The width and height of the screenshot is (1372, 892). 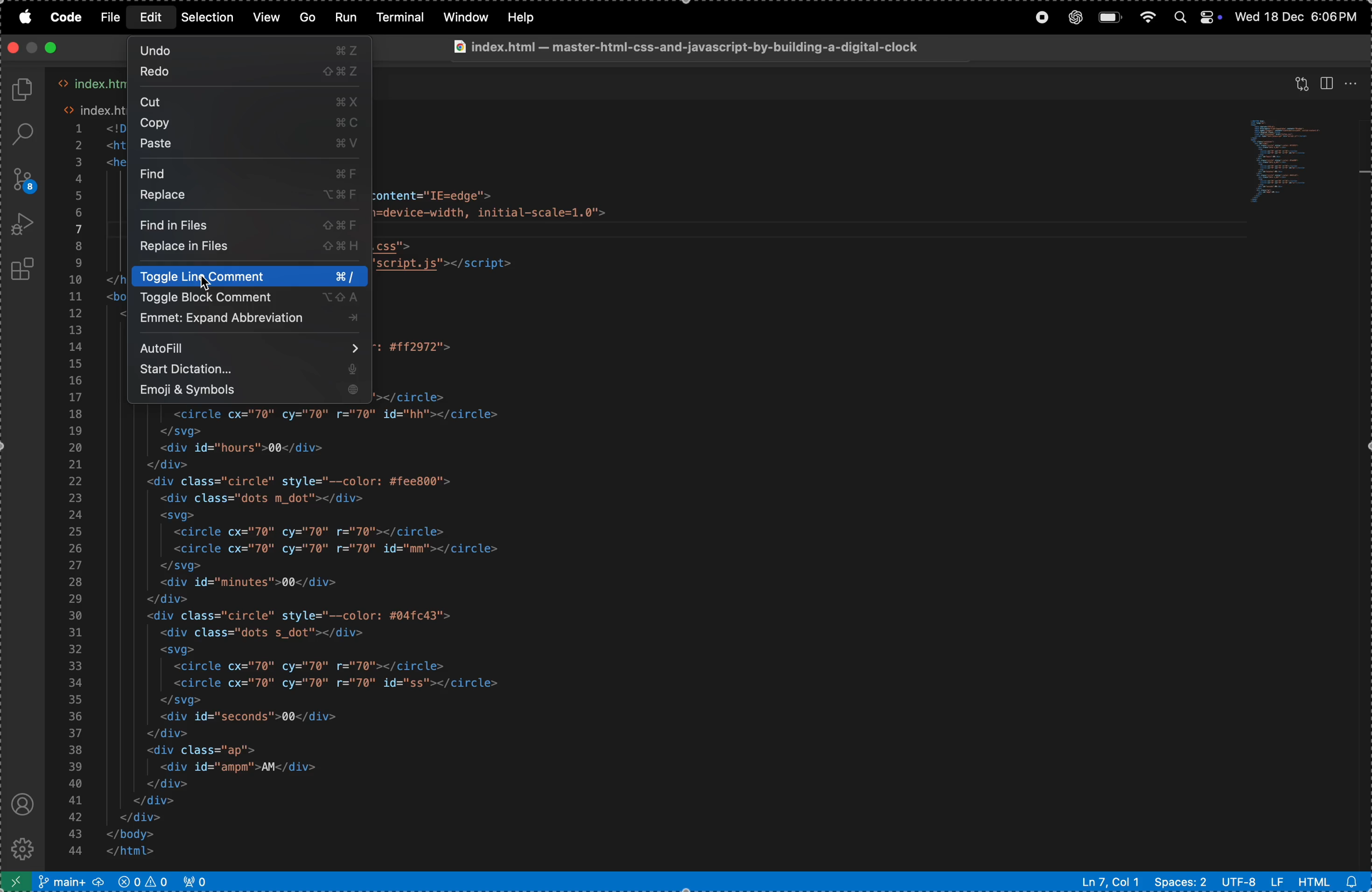 I want to click on > index.html, so click(x=91, y=84).